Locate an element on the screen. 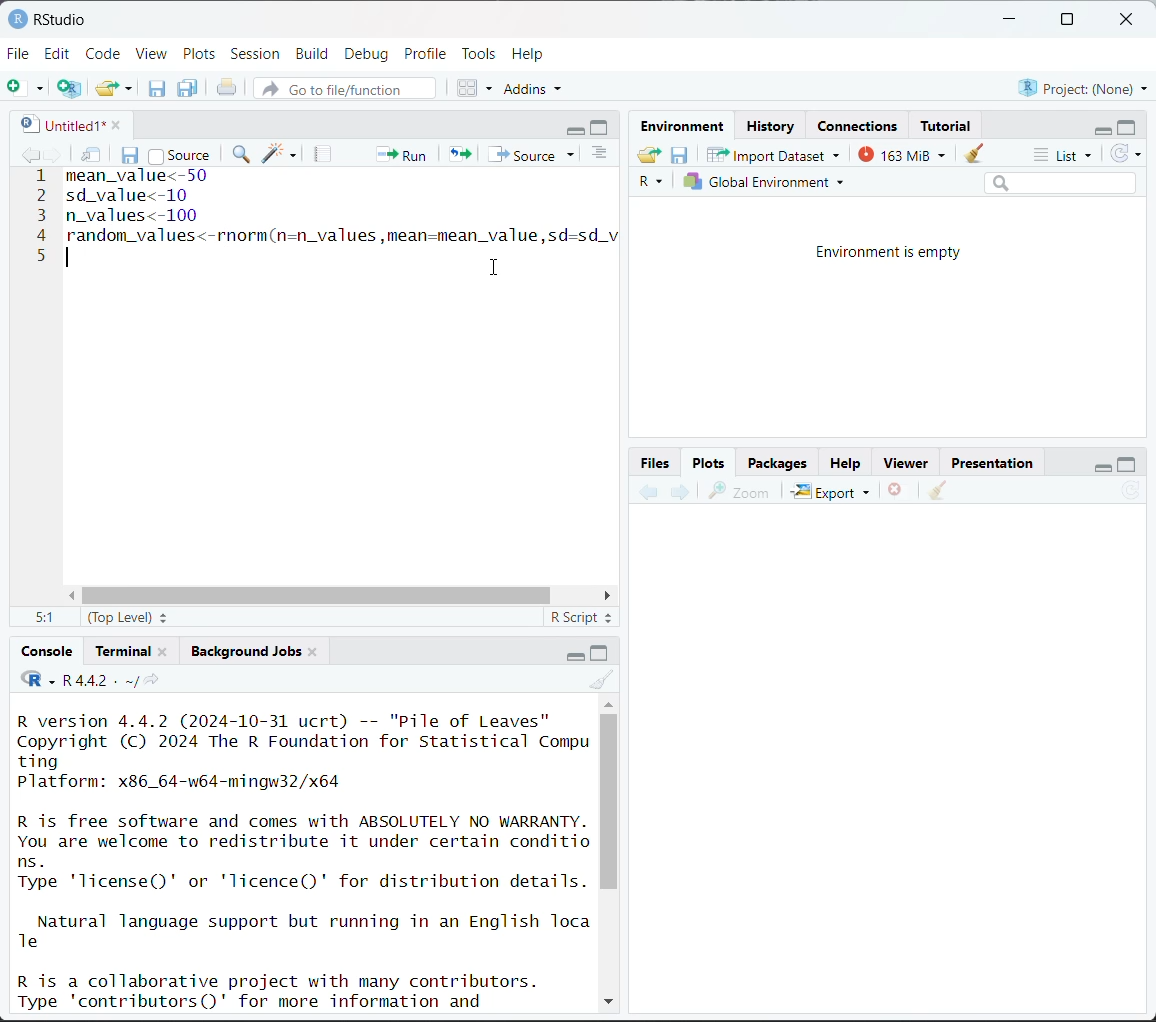  untitled1 is located at coordinates (58, 124).